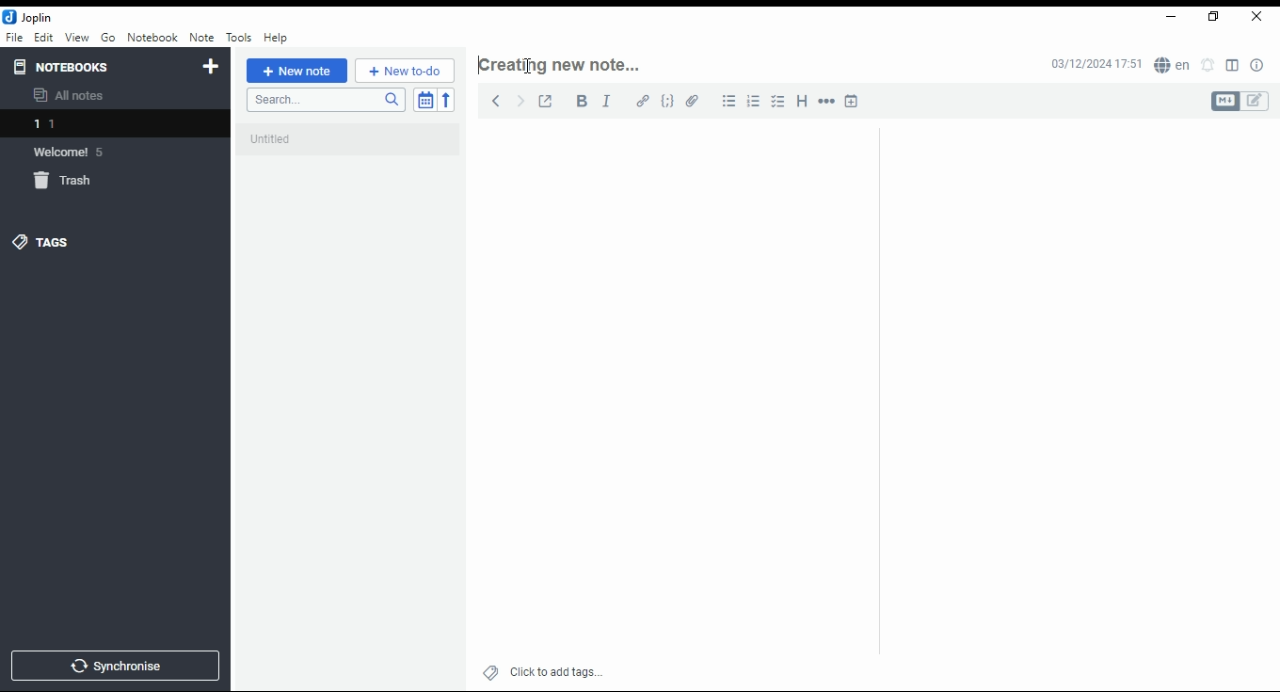  Describe the element at coordinates (1258, 65) in the screenshot. I see `notes properties` at that location.